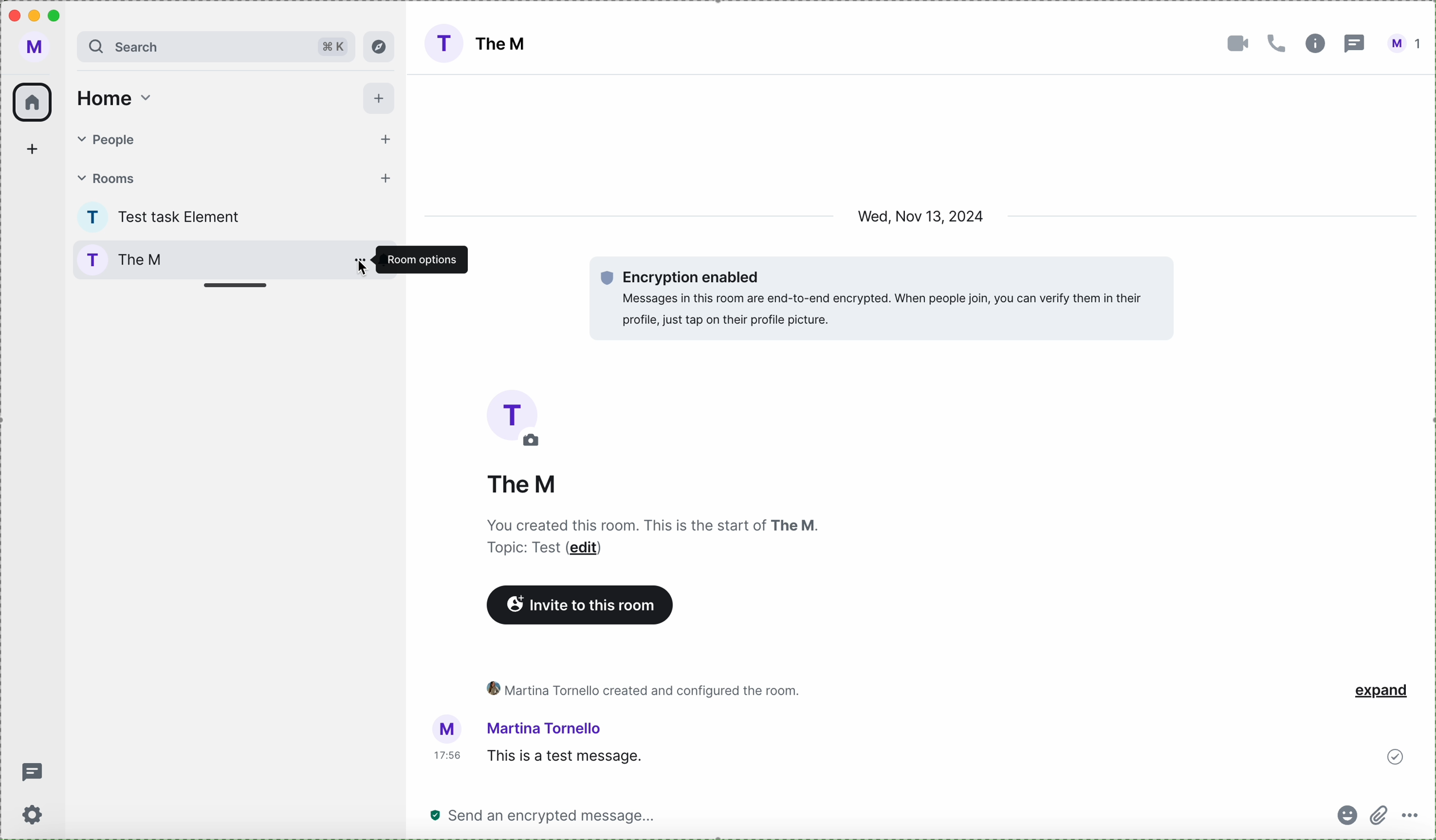 The image size is (1436, 840). Describe the element at coordinates (55, 15) in the screenshot. I see `maximize` at that location.